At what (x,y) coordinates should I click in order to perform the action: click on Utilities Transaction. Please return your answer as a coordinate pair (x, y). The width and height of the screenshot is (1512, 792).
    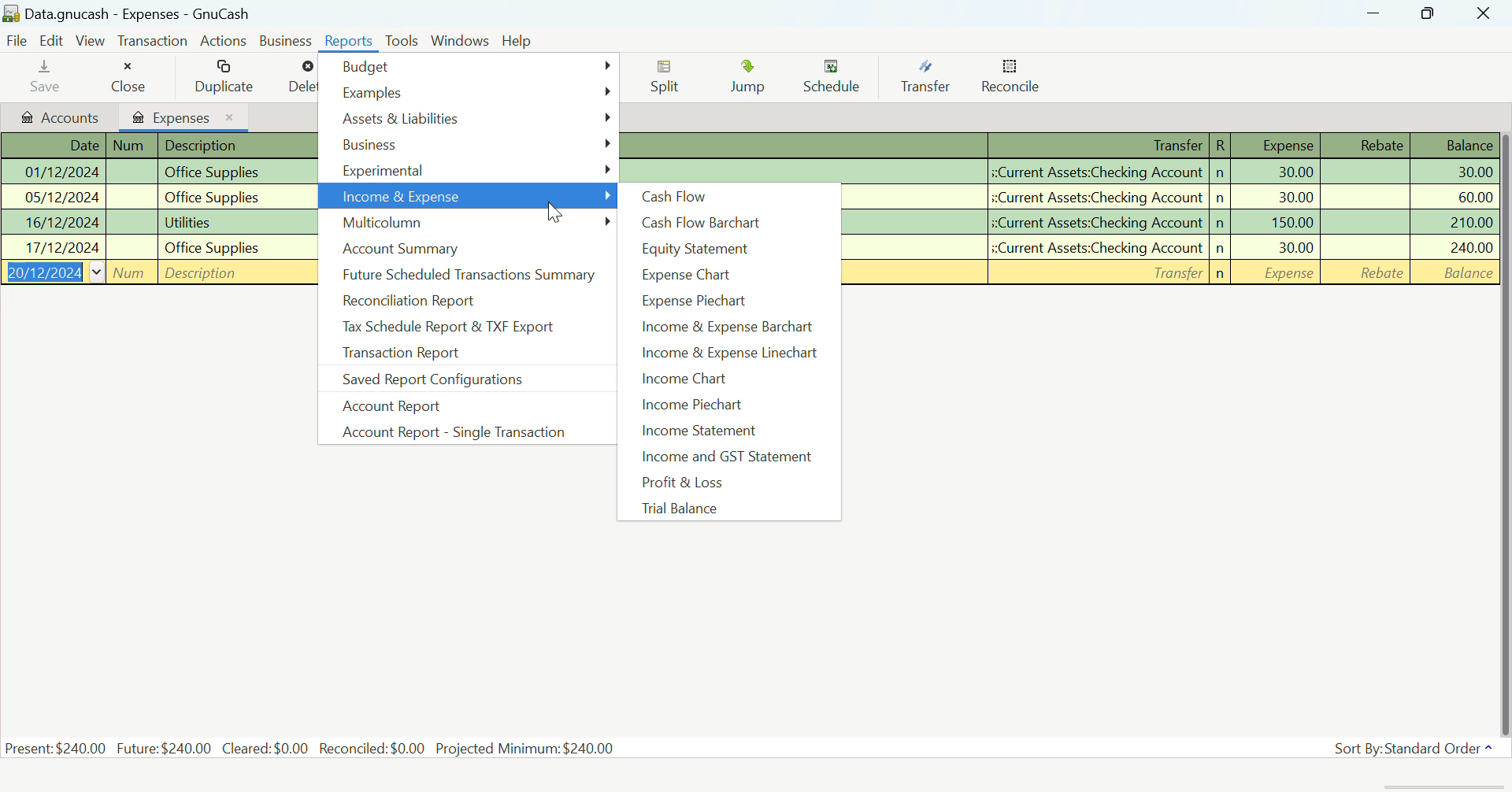
    Looking at the image, I should click on (1172, 222).